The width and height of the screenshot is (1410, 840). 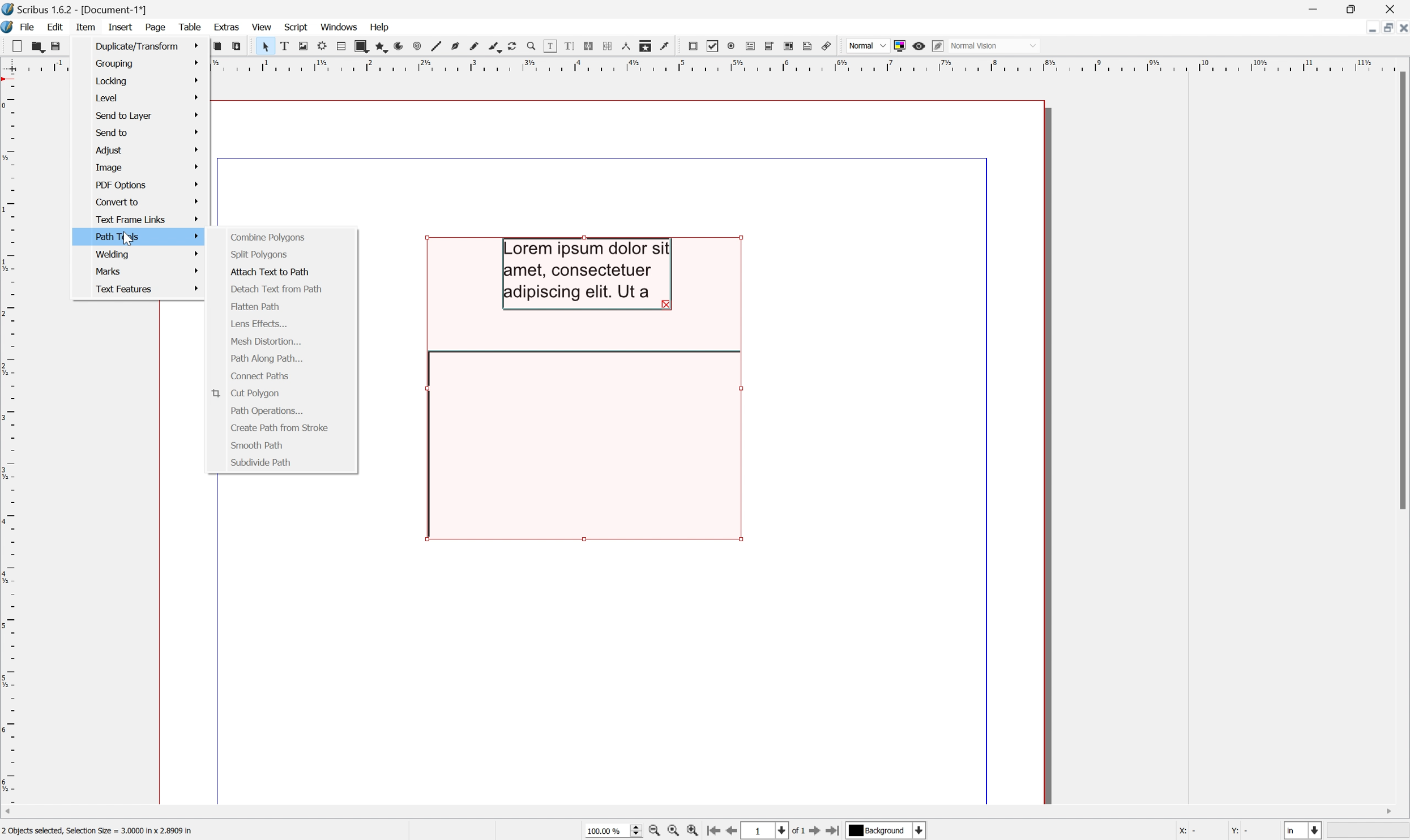 I want to click on Script, so click(x=296, y=25).